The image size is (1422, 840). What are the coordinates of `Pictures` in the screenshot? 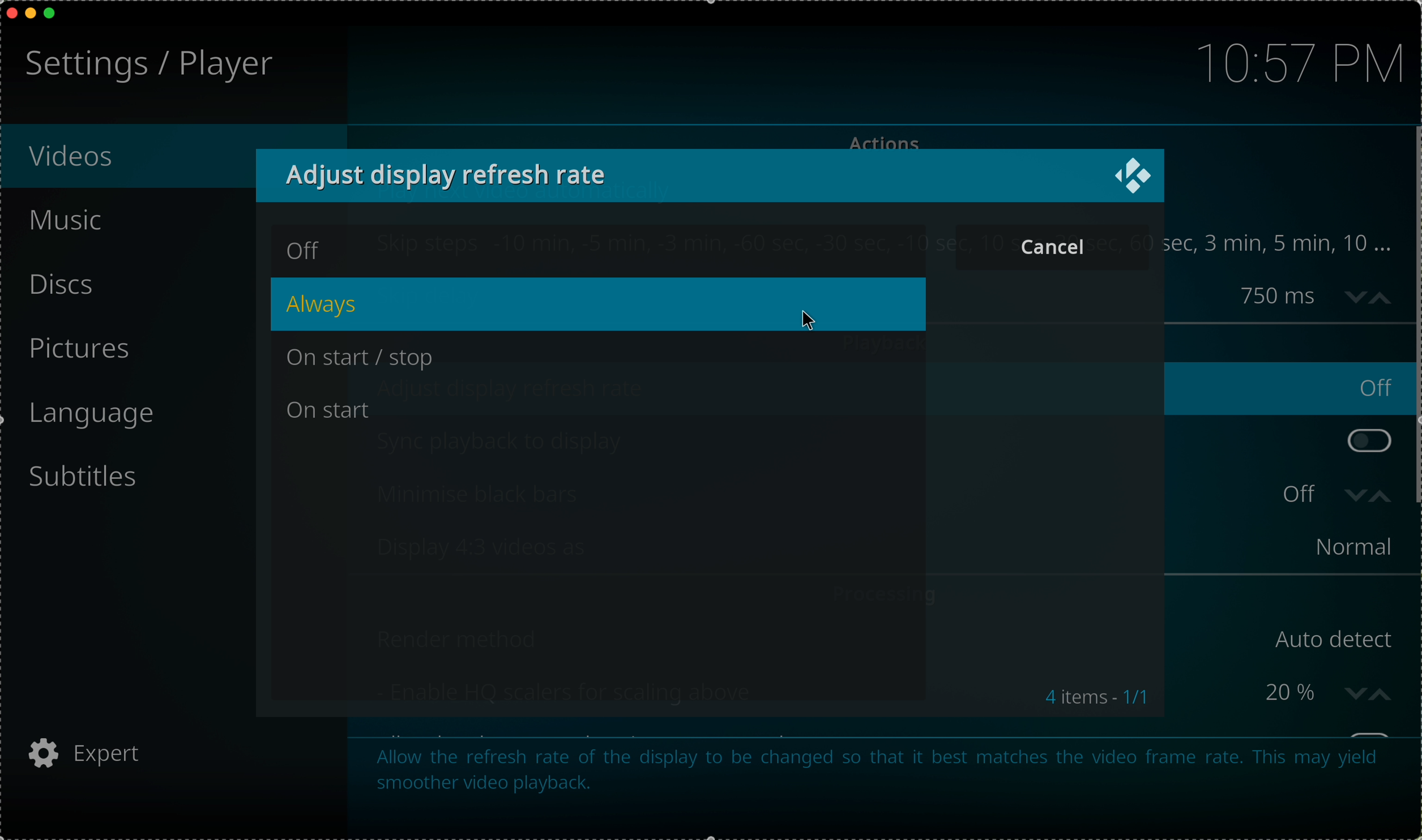 It's located at (87, 346).